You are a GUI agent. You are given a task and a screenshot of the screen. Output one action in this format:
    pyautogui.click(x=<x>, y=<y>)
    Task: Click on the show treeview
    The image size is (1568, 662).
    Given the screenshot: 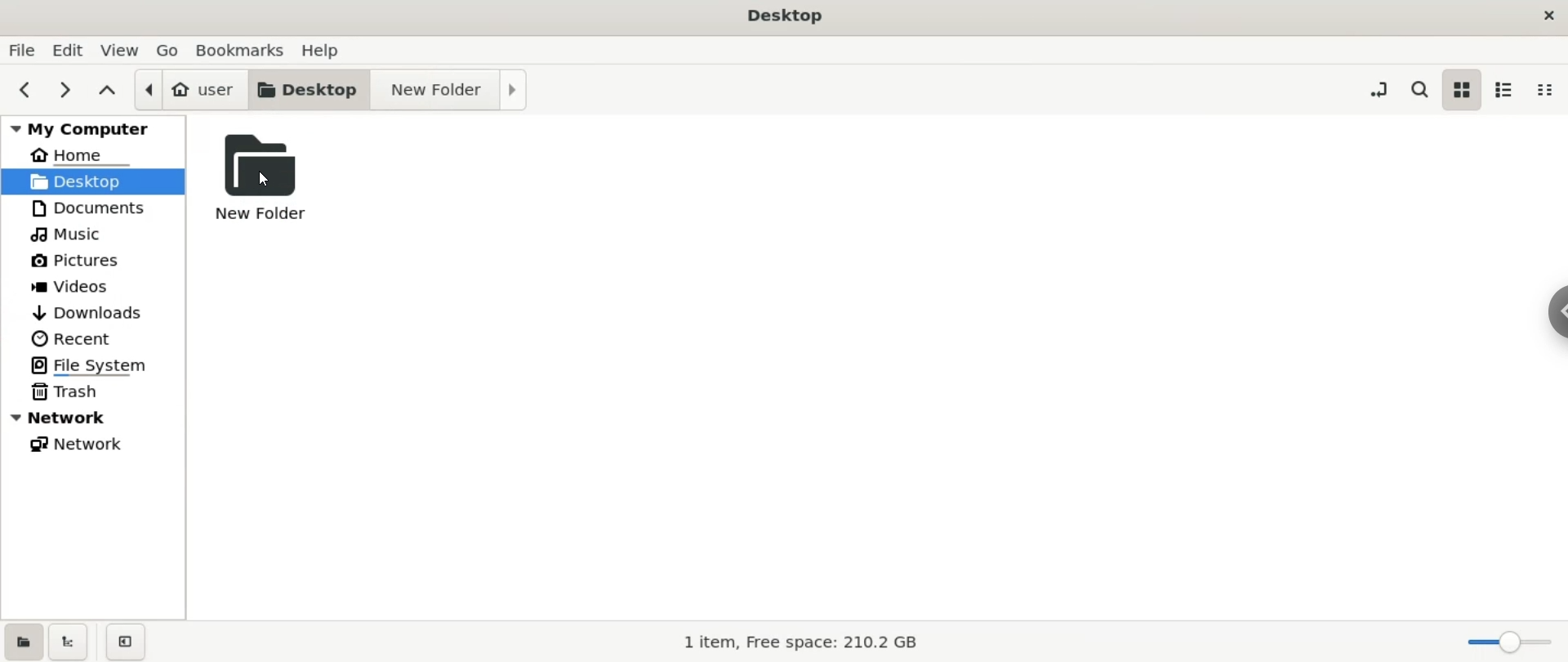 What is the action you would take?
    pyautogui.click(x=69, y=638)
    